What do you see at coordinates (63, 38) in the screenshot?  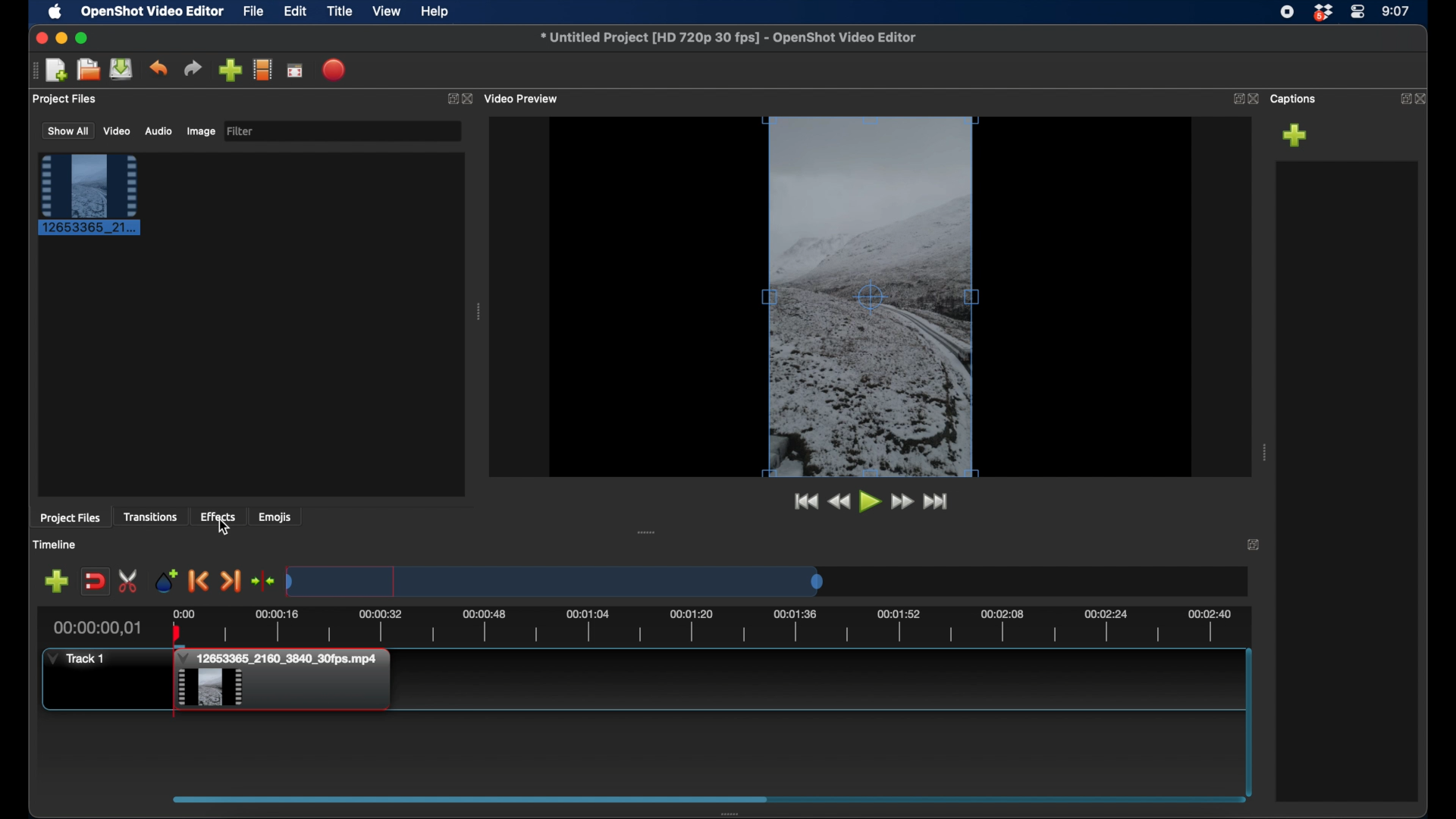 I see `minimize` at bounding box center [63, 38].